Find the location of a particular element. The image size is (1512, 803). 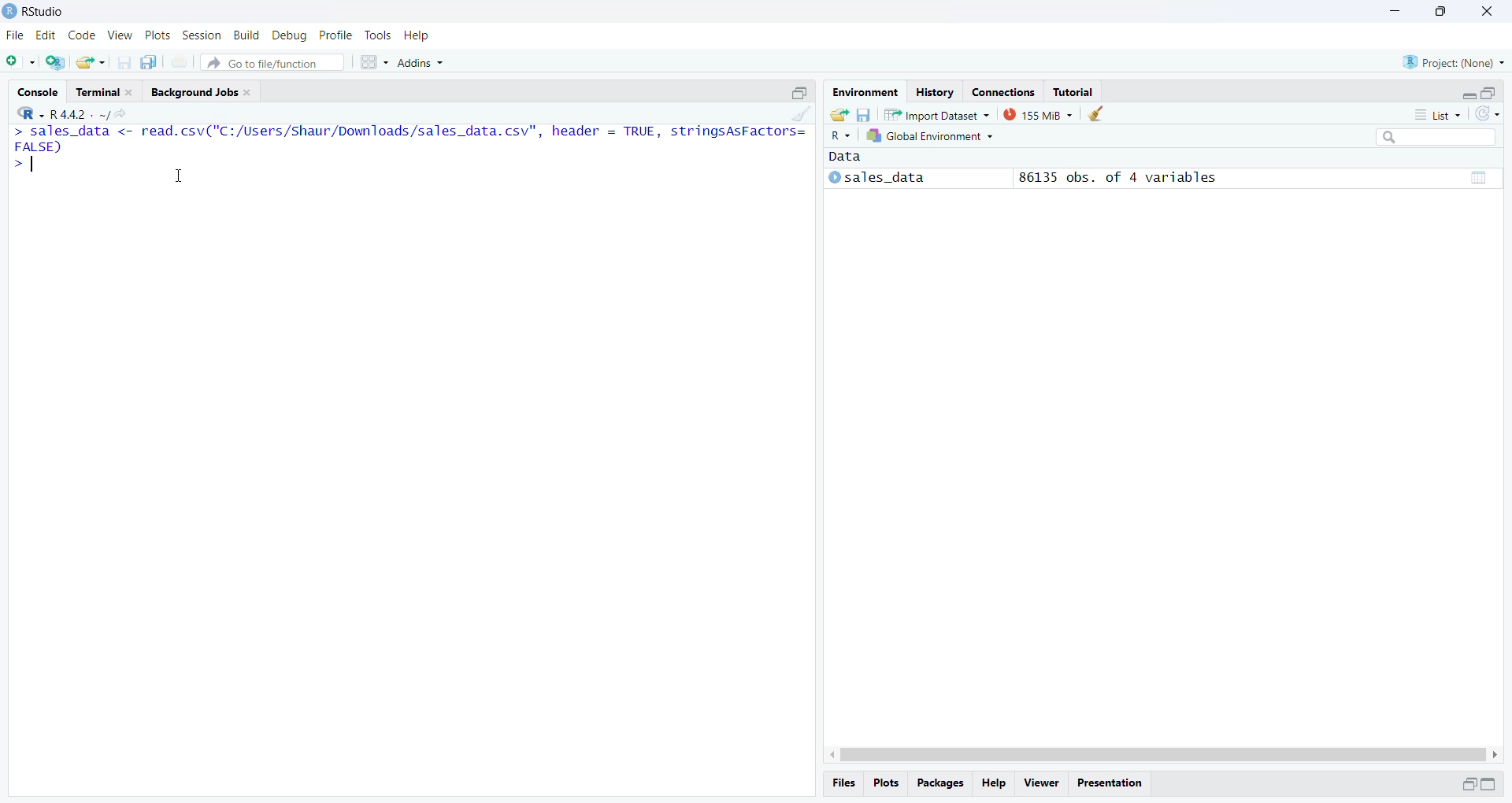

Presentation is located at coordinates (1112, 783).